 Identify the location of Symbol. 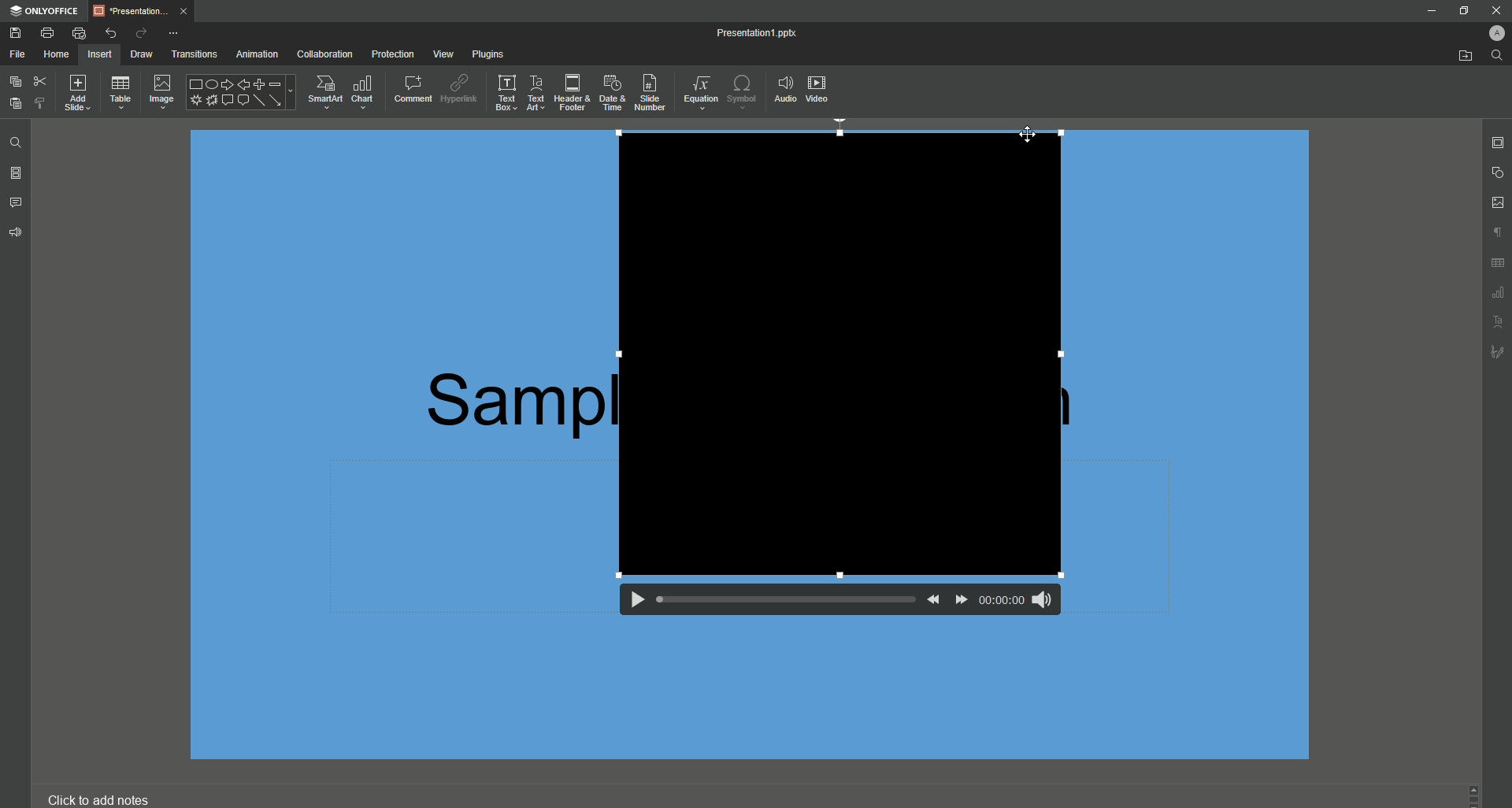
(743, 91).